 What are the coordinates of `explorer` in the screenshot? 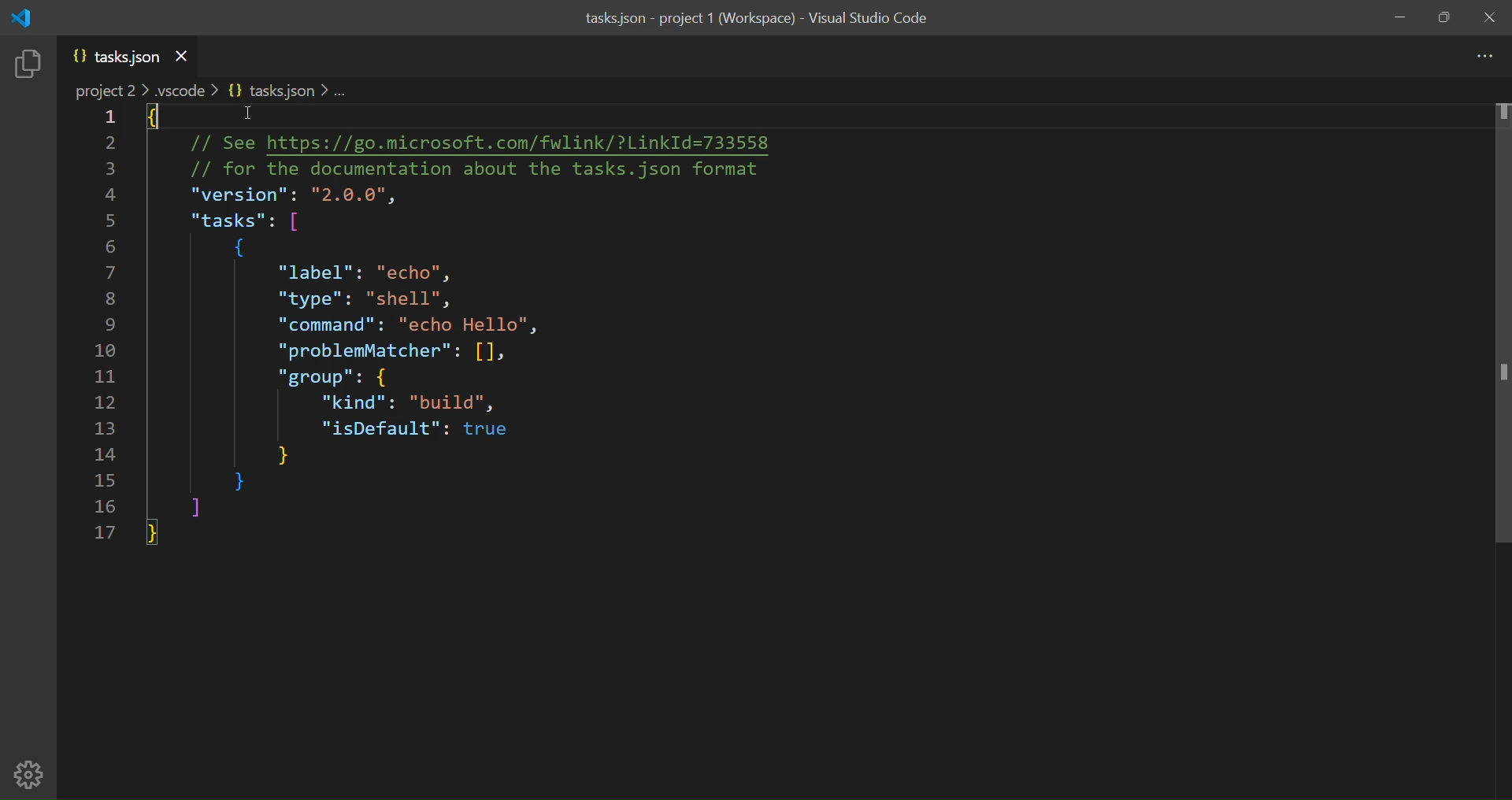 It's located at (32, 67).